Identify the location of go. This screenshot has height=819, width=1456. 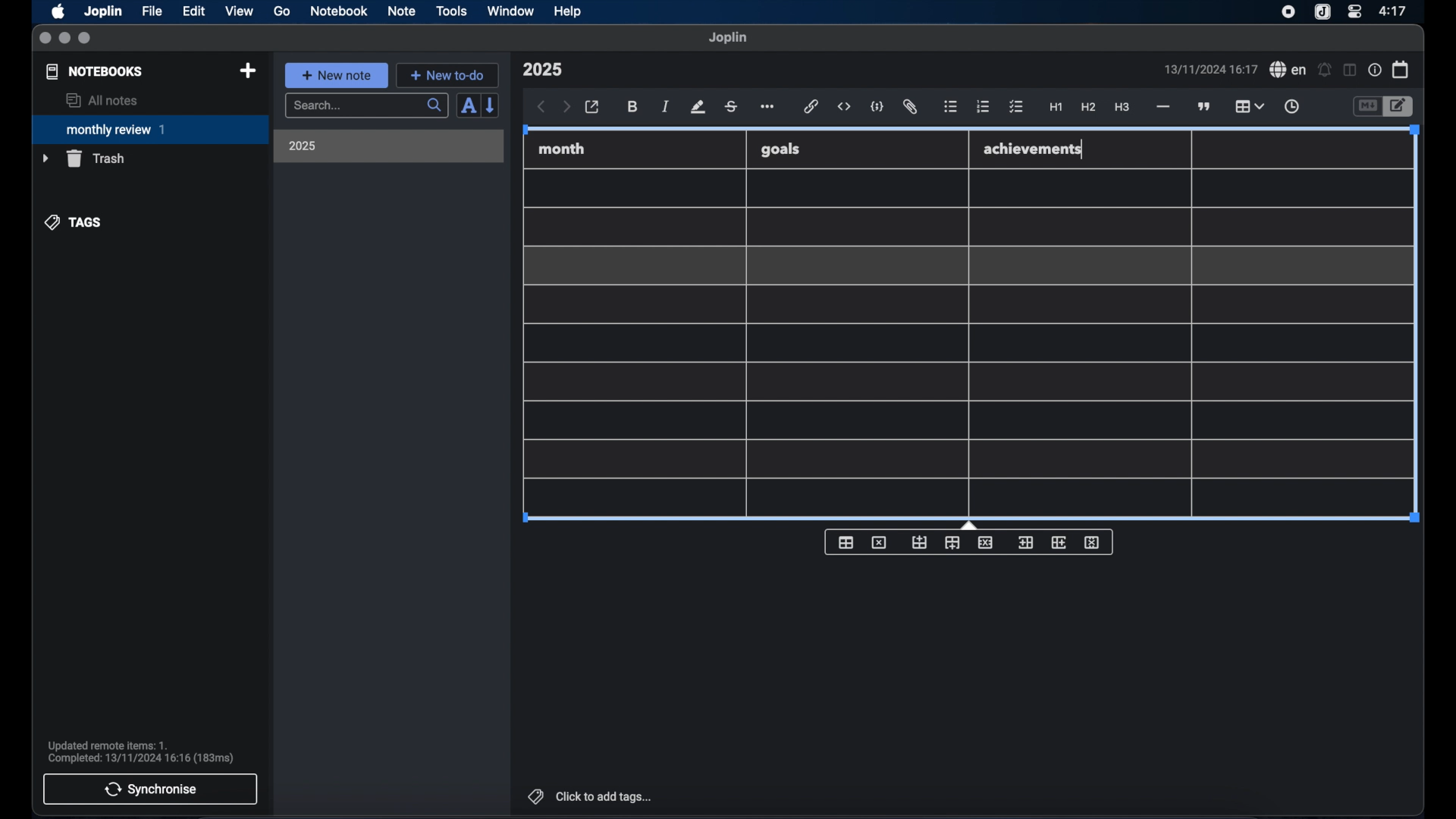
(282, 11).